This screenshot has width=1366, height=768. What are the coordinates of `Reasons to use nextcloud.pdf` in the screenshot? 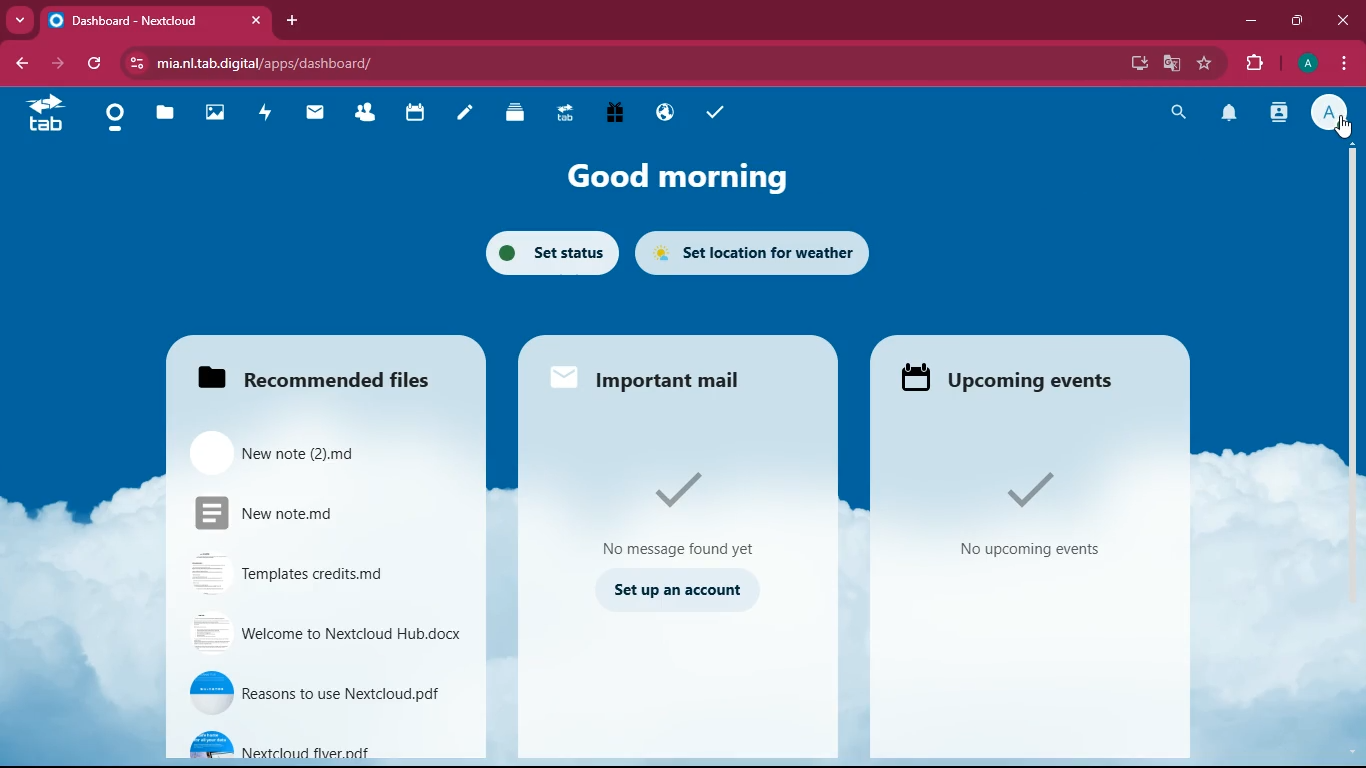 It's located at (318, 694).